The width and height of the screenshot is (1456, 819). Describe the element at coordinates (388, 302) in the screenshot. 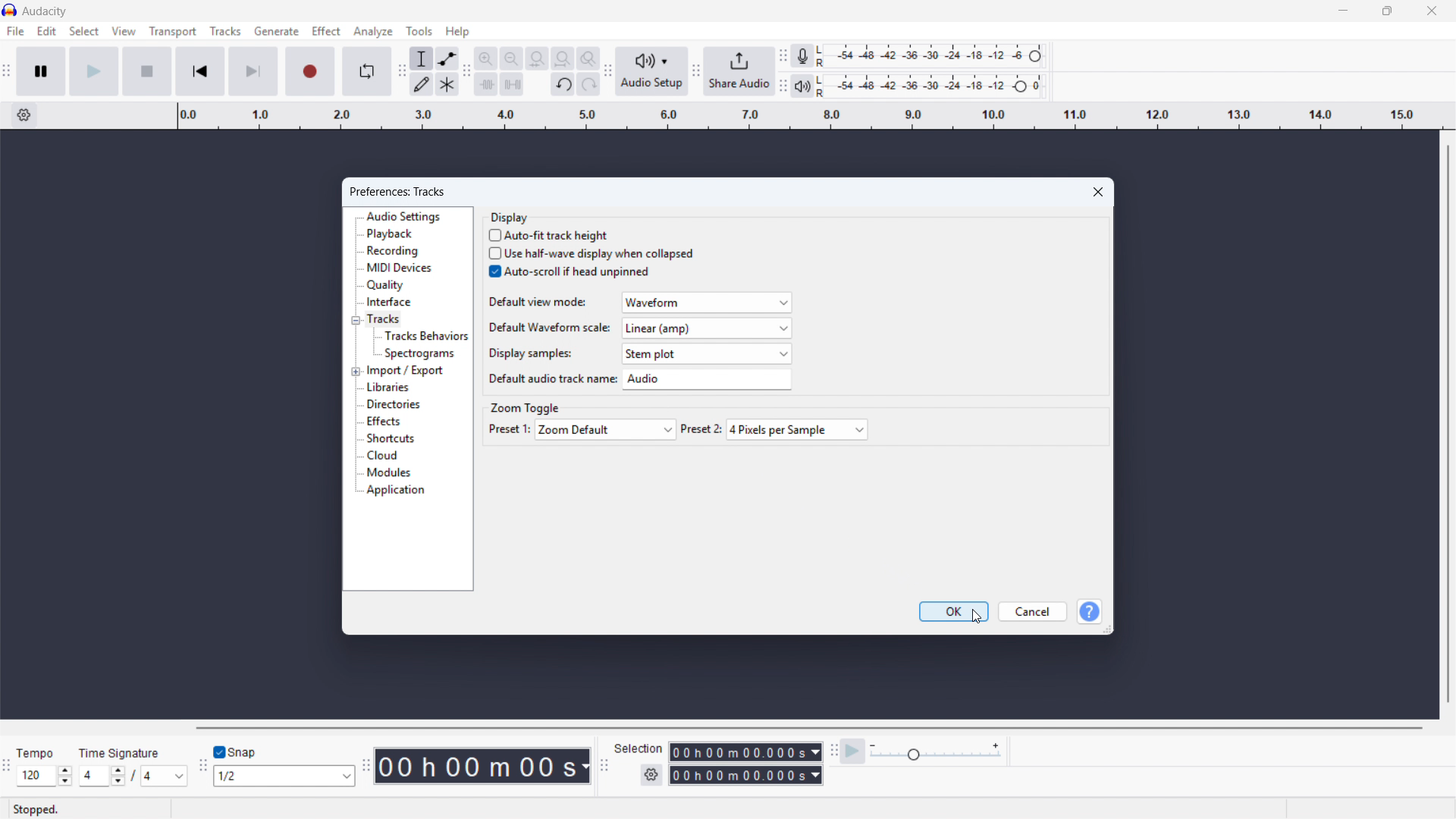

I see `interface` at that location.